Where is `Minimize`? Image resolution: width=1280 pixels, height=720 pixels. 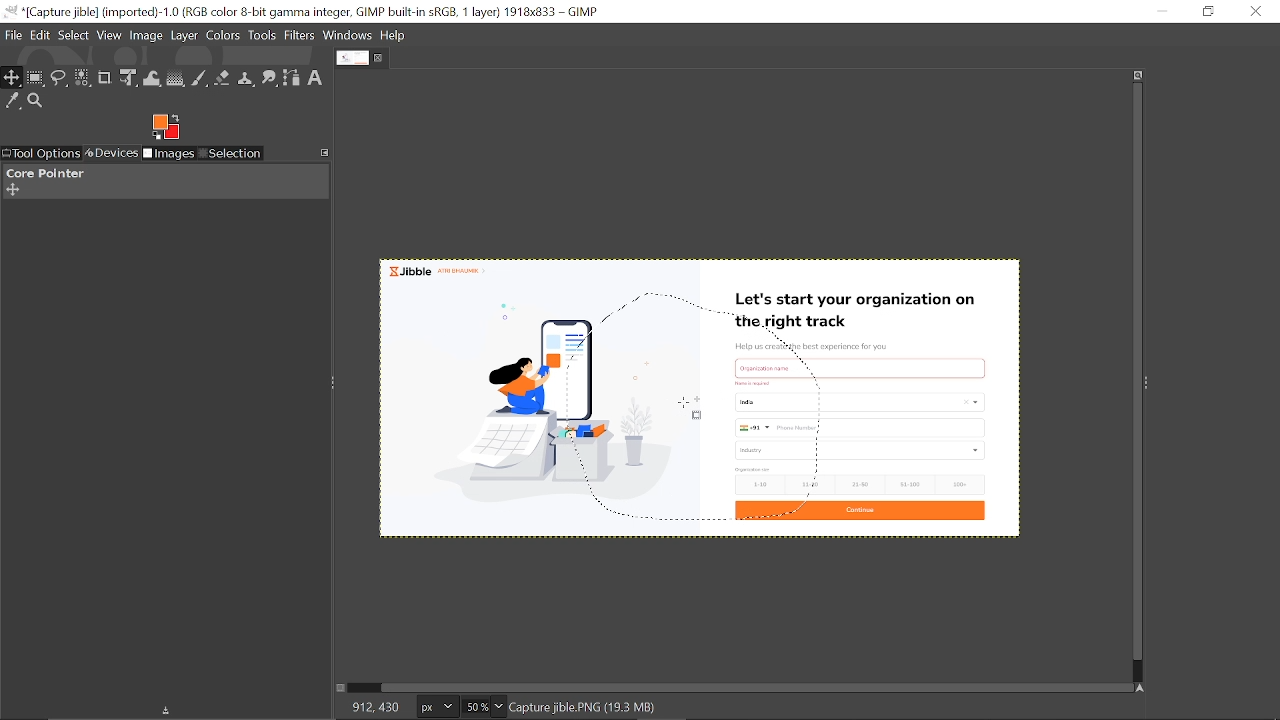
Minimize is located at coordinates (1161, 10).